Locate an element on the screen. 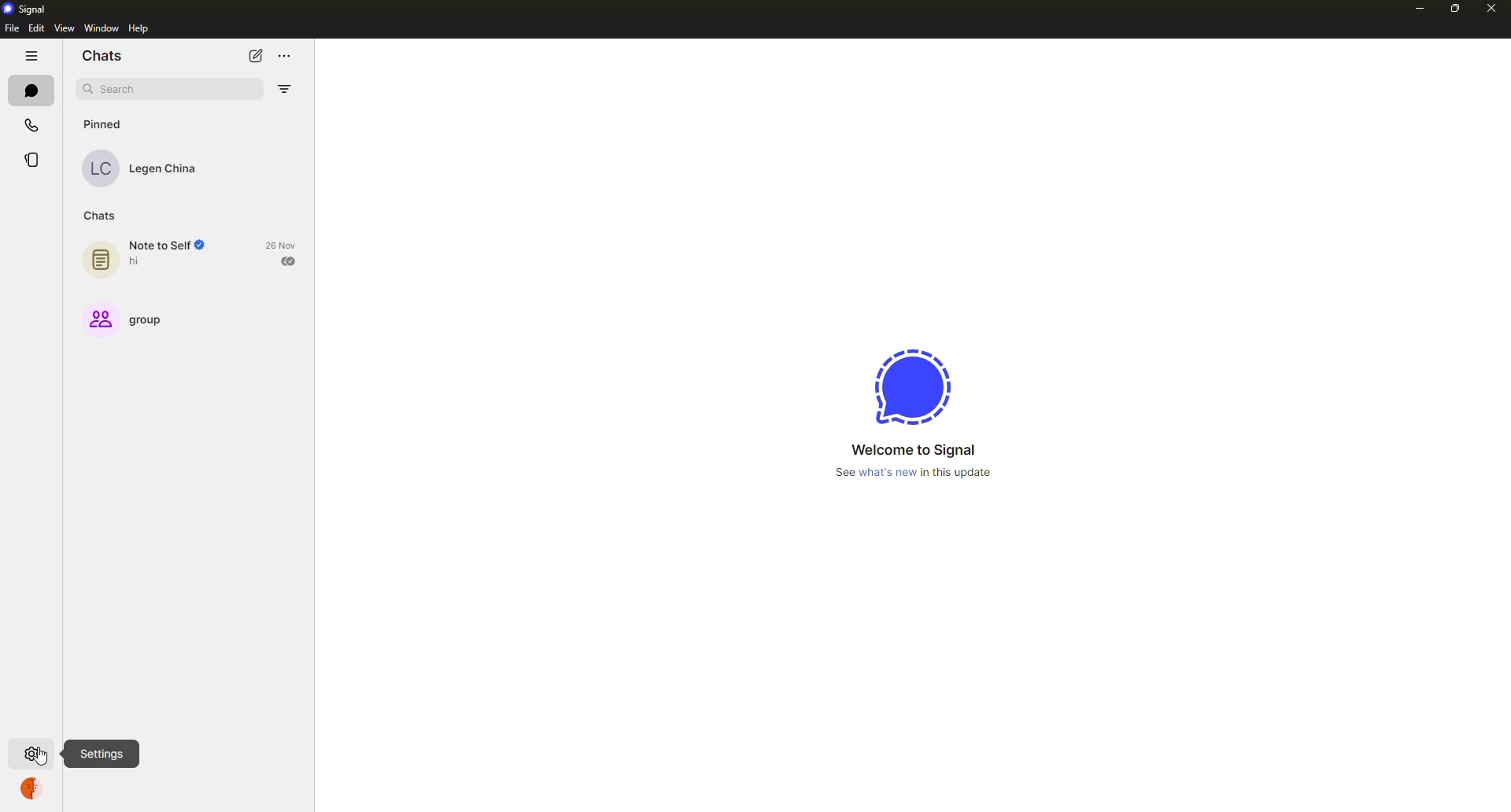 The height and width of the screenshot is (812, 1511). welcome is located at coordinates (913, 449).